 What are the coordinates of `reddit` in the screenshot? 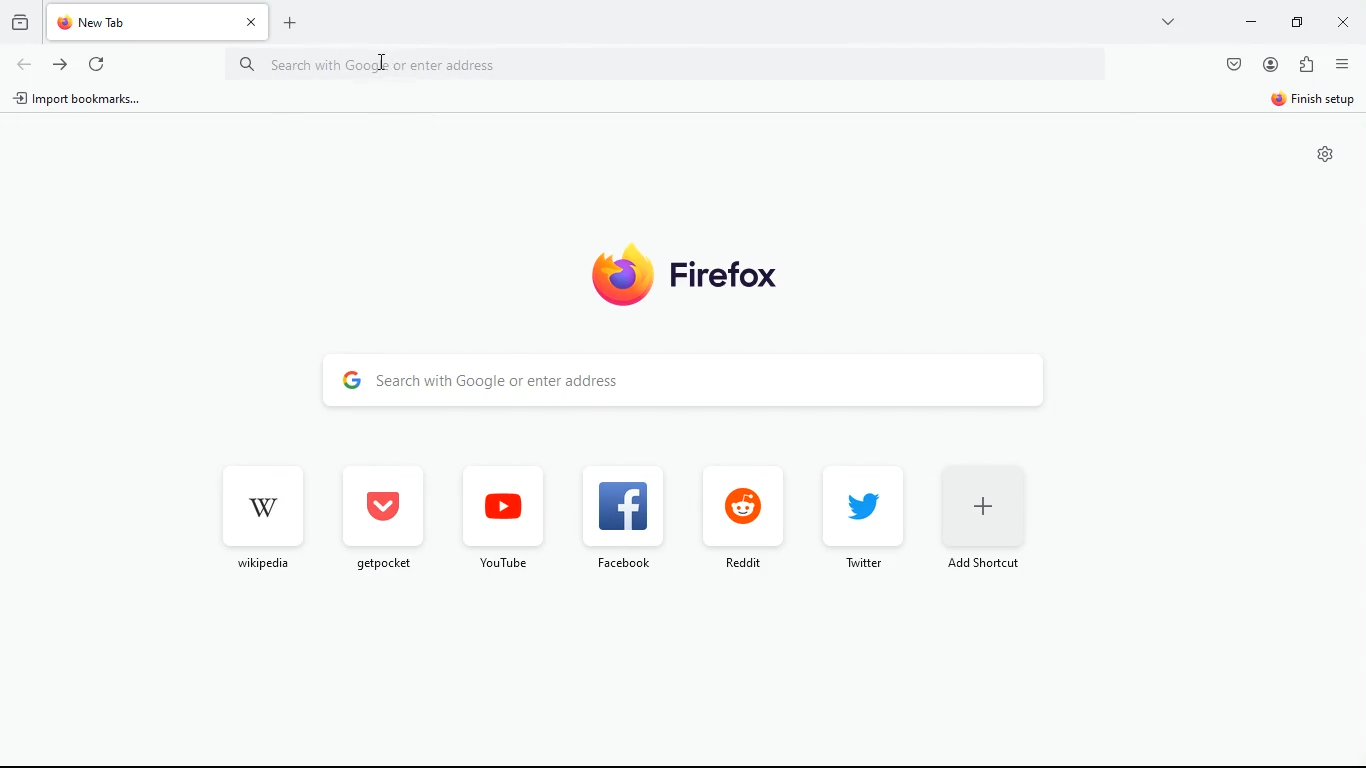 It's located at (738, 519).